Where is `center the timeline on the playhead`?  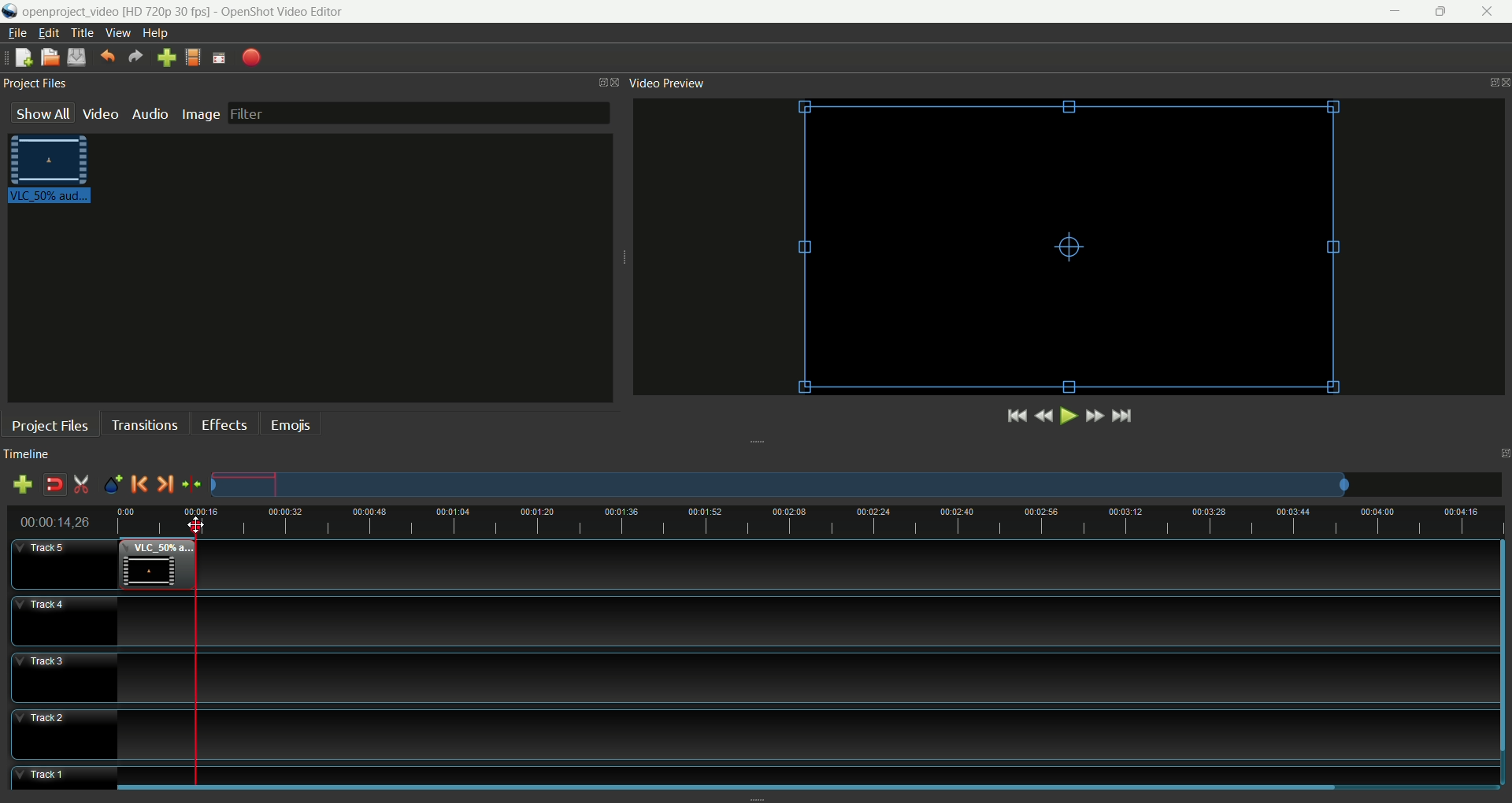 center the timeline on the playhead is located at coordinates (192, 487).